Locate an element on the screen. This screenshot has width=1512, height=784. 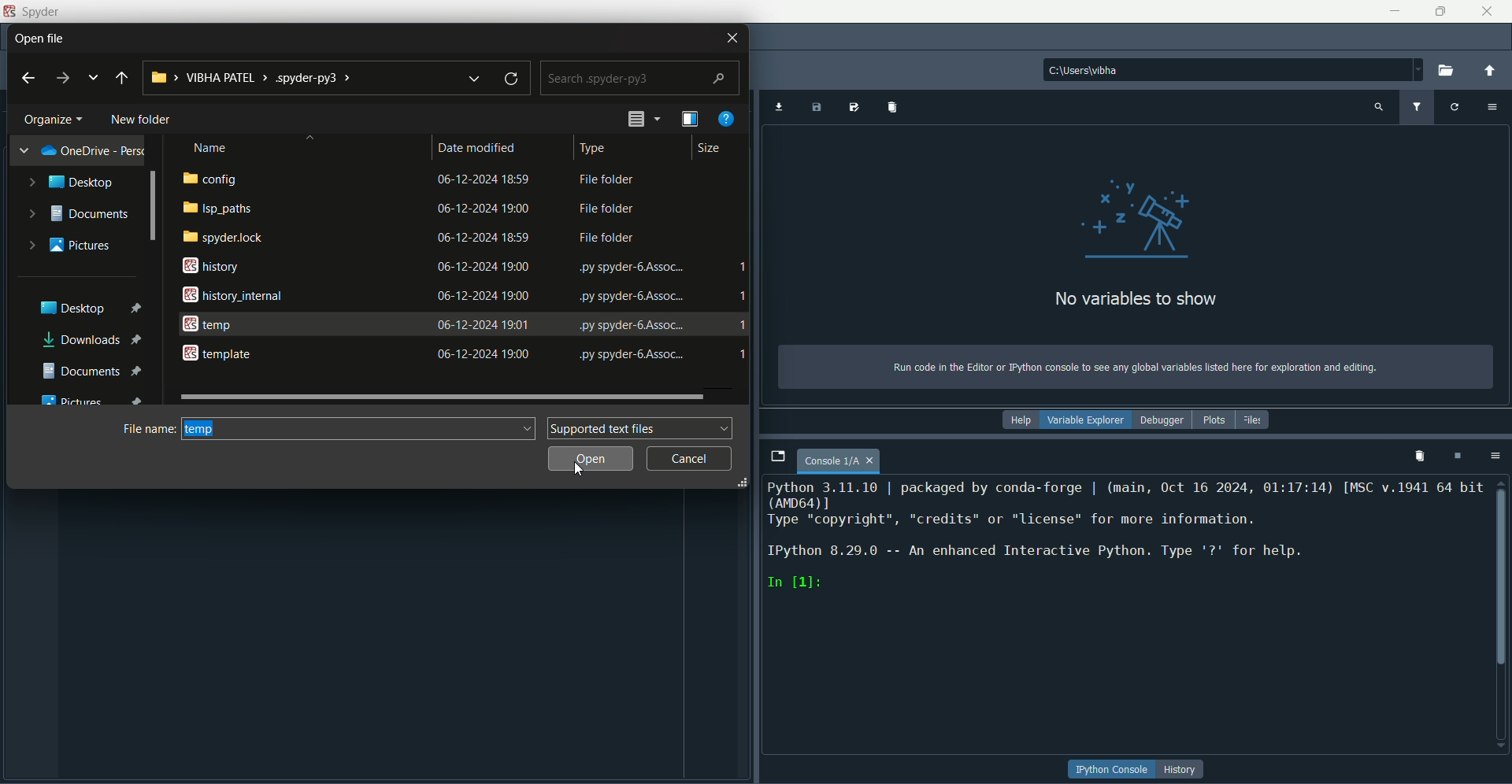
refresh variable is located at coordinates (1457, 107).